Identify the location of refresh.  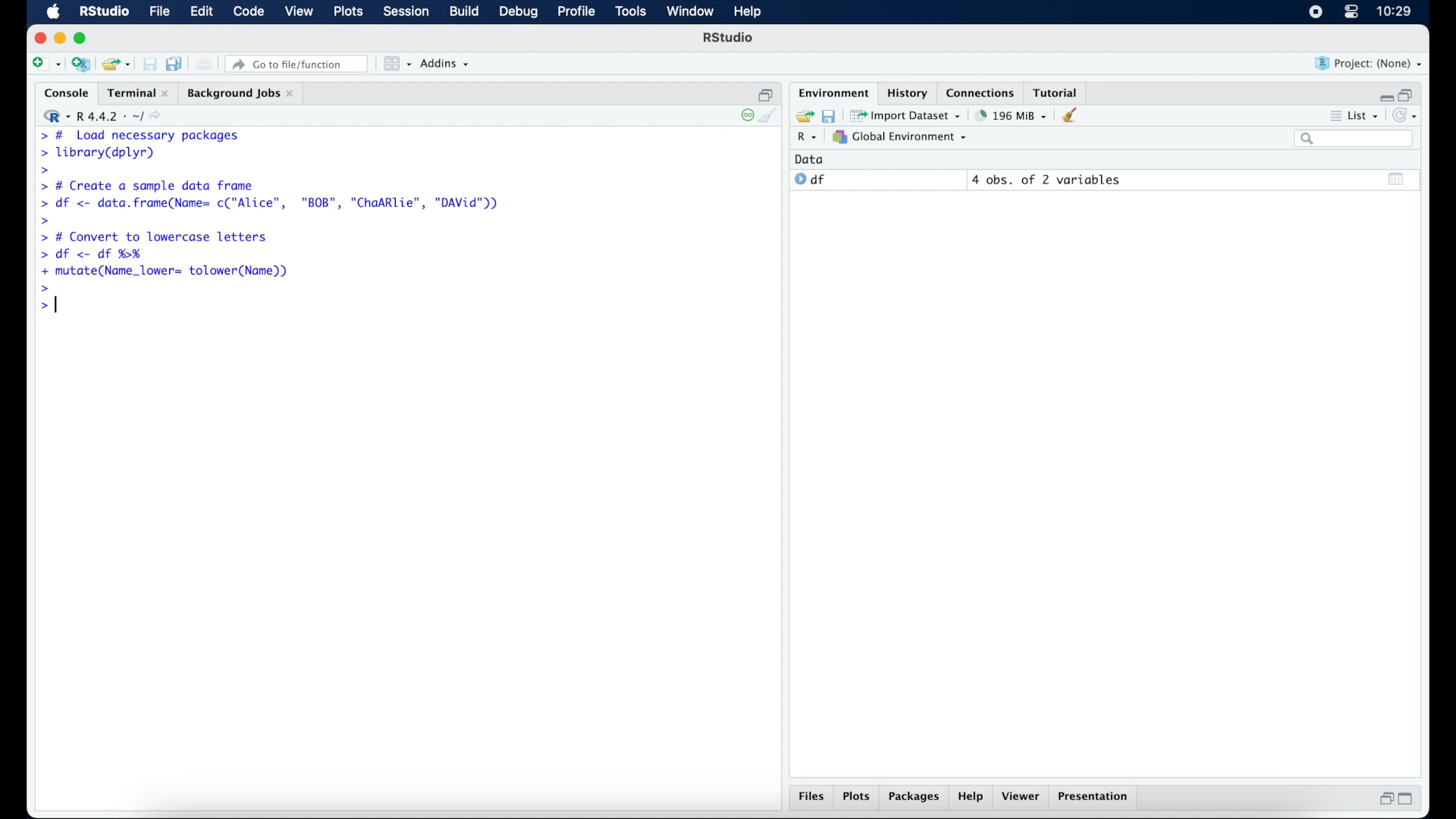
(1407, 117).